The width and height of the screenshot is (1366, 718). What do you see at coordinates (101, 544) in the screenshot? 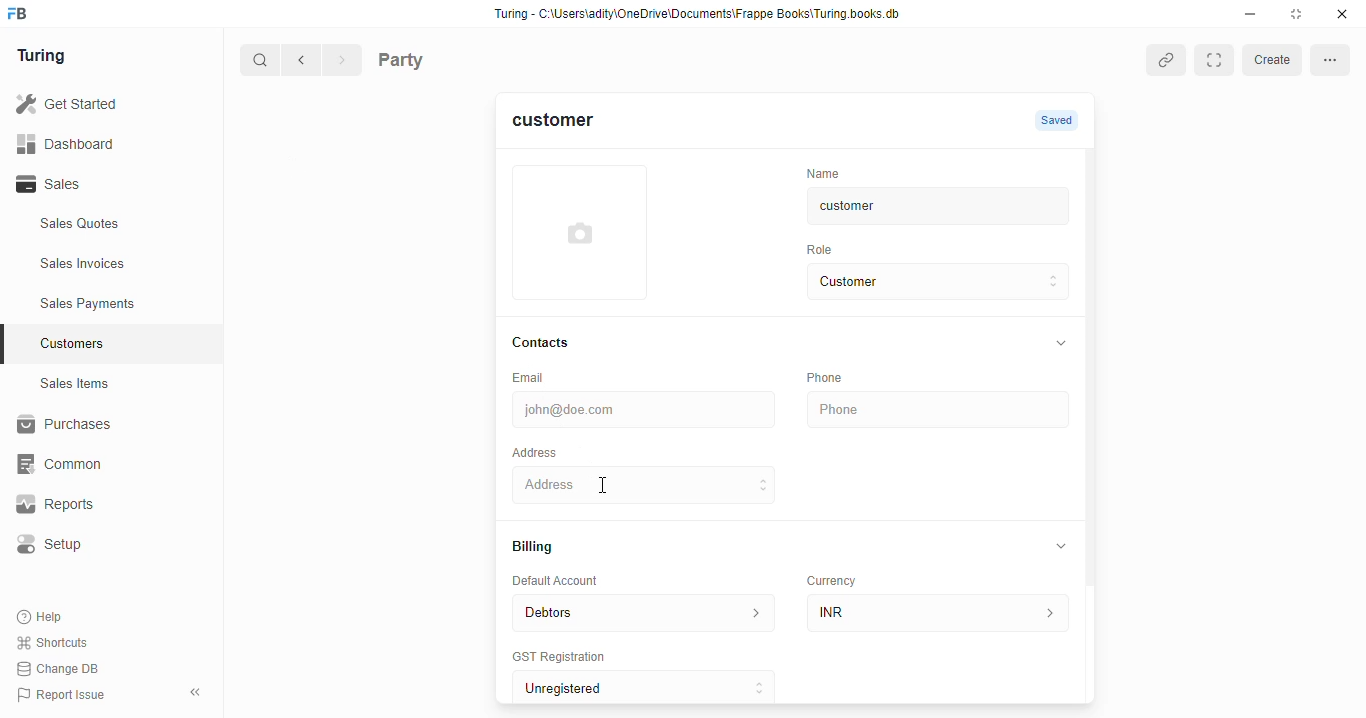
I see `Setup` at bounding box center [101, 544].